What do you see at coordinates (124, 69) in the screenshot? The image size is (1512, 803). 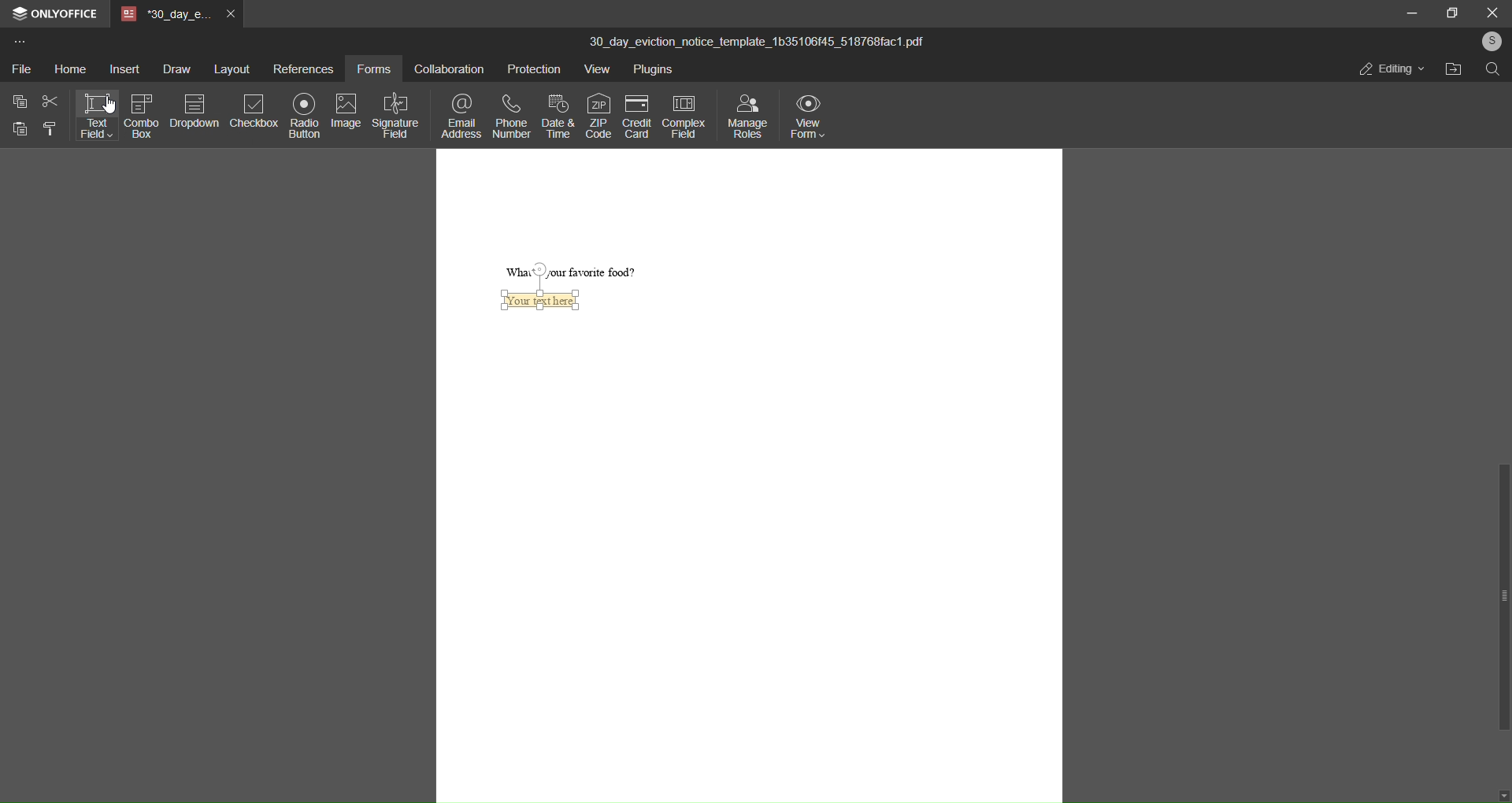 I see `insert` at bounding box center [124, 69].